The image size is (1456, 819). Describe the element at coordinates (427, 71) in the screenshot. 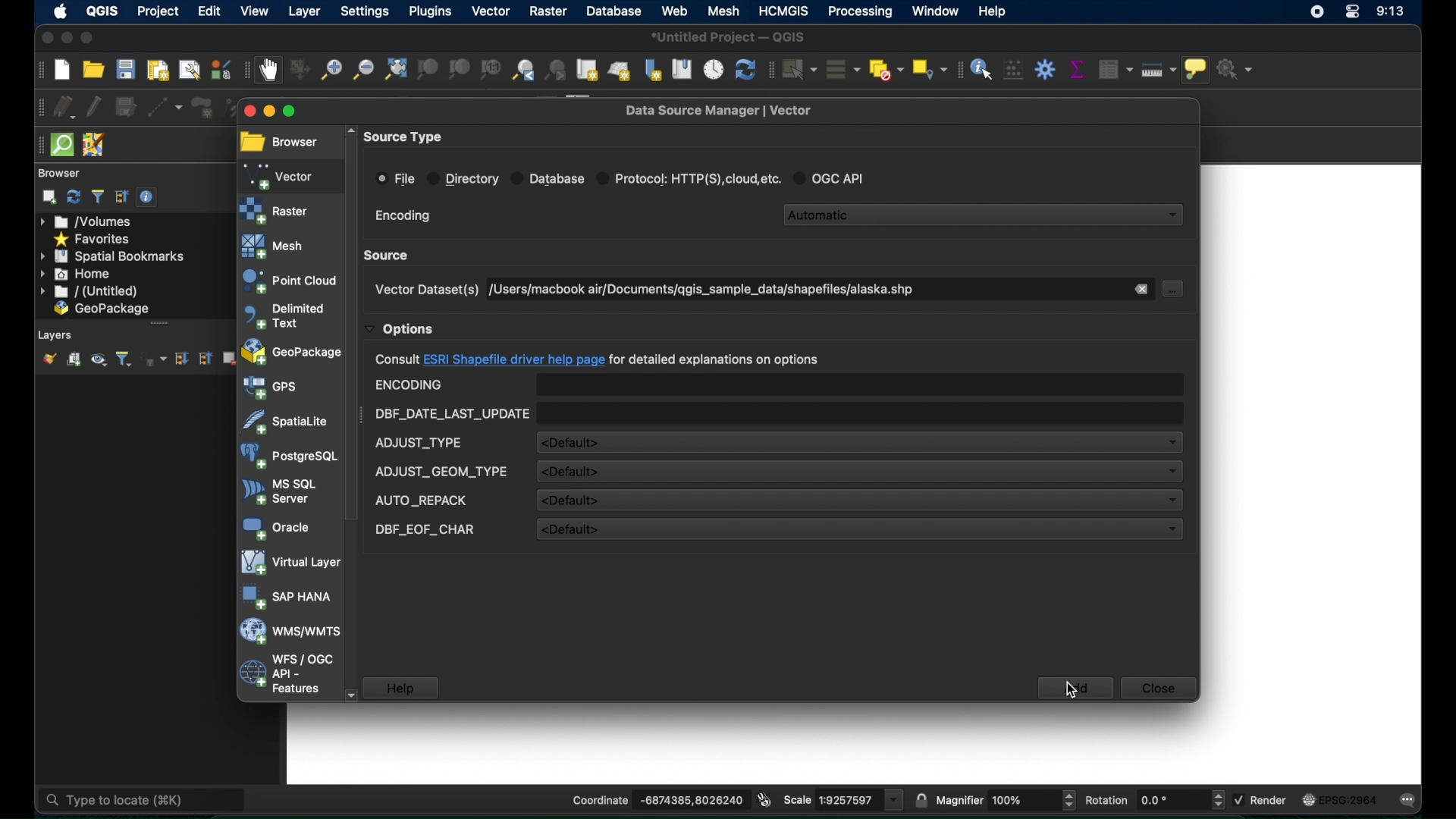

I see `zoom to selection` at that location.